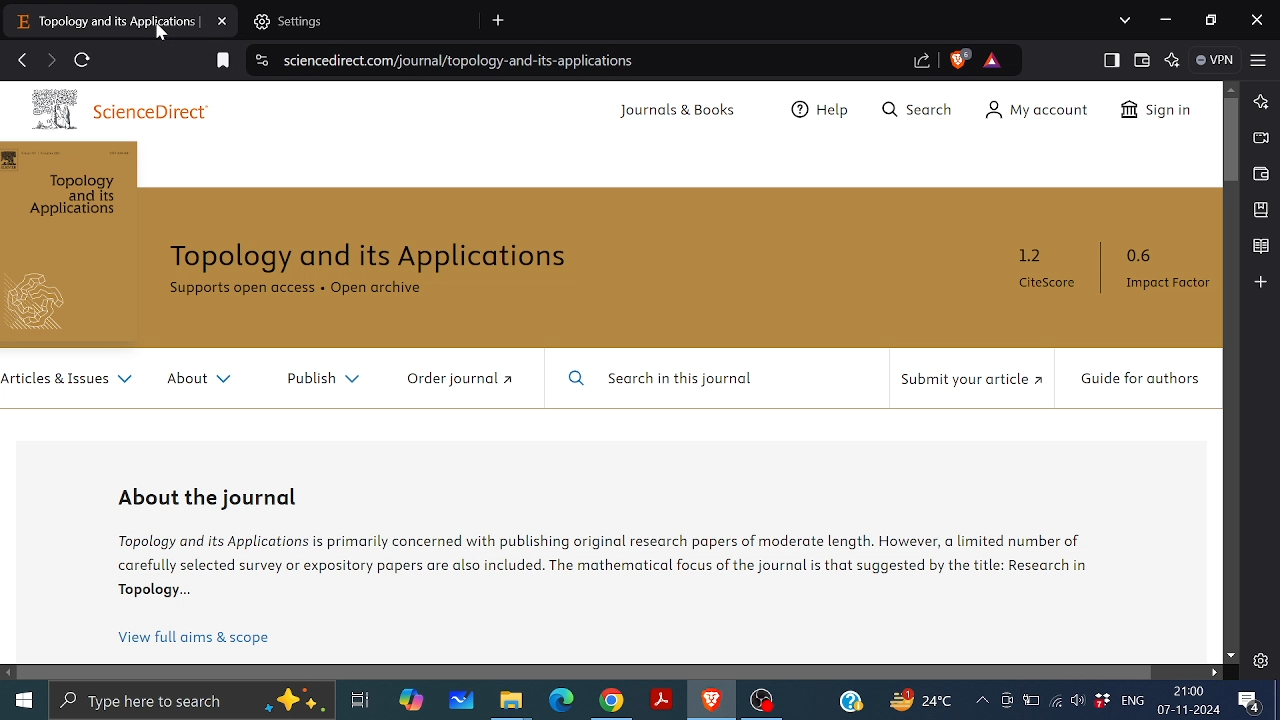 The width and height of the screenshot is (1280, 720). What do you see at coordinates (1258, 175) in the screenshot?
I see `wallet` at bounding box center [1258, 175].